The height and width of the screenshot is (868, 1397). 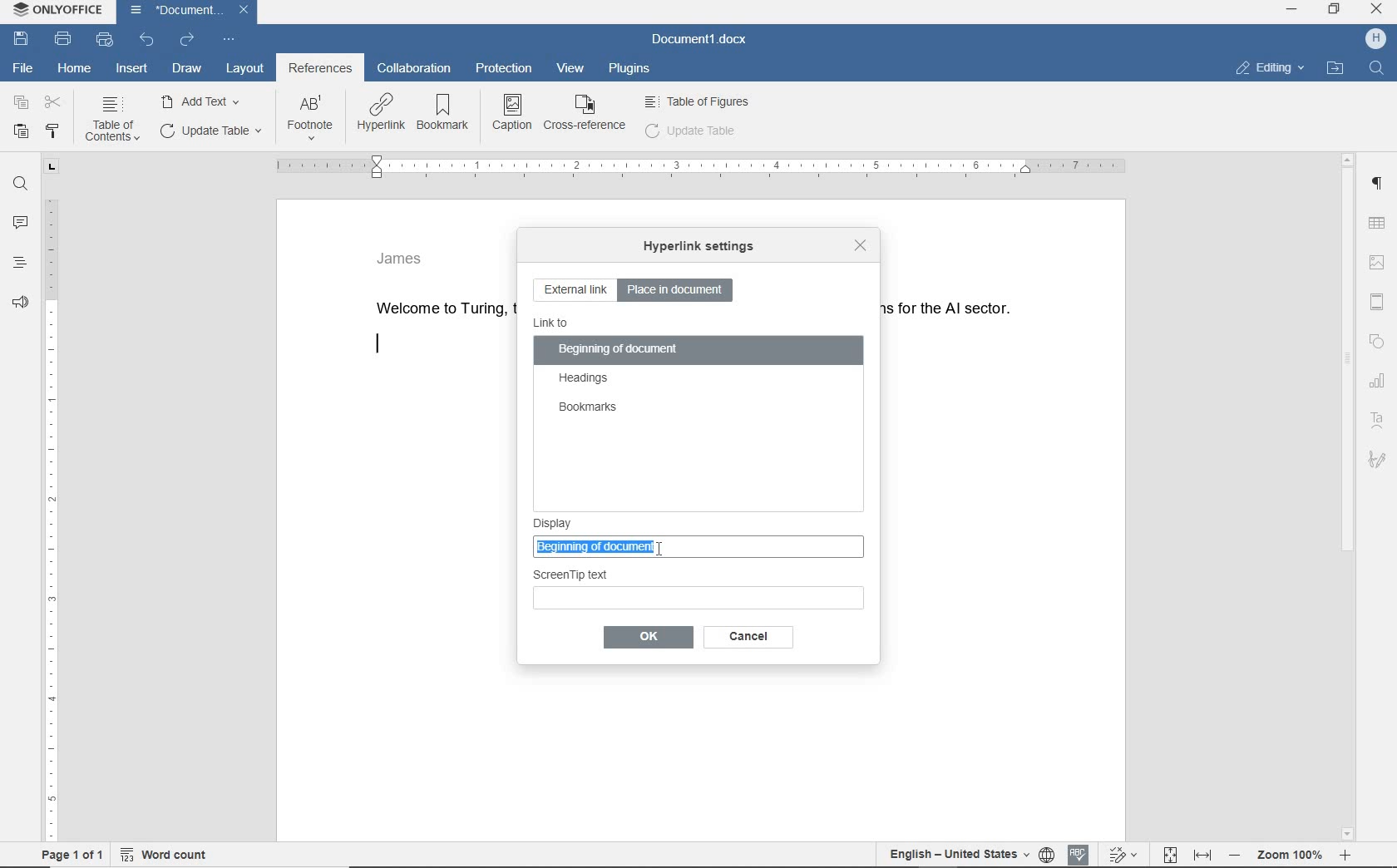 What do you see at coordinates (22, 185) in the screenshot?
I see `find` at bounding box center [22, 185].